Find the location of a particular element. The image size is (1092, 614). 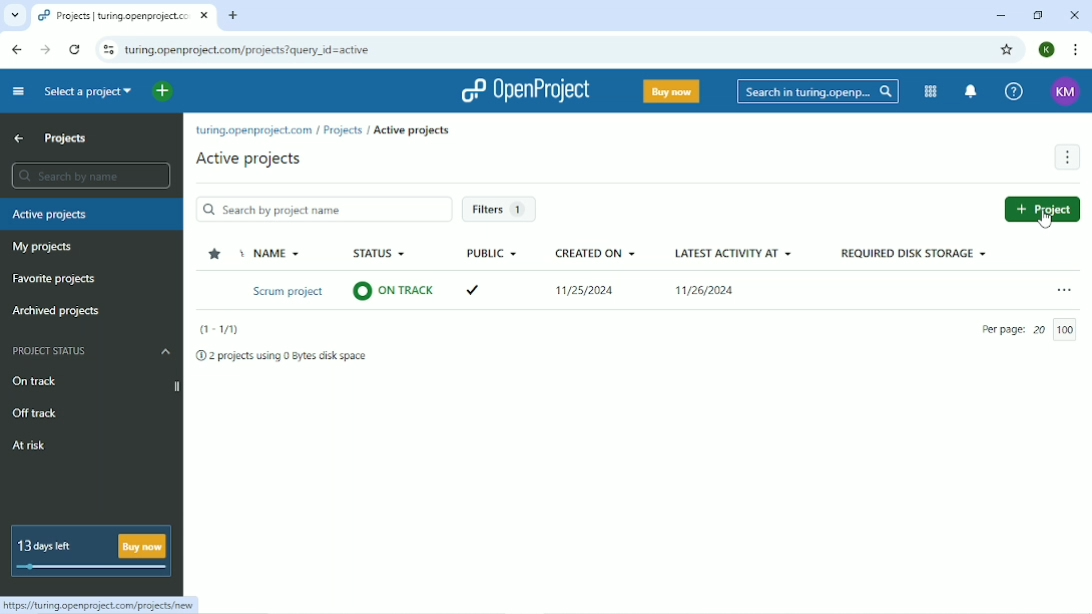

Back is located at coordinates (17, 49).